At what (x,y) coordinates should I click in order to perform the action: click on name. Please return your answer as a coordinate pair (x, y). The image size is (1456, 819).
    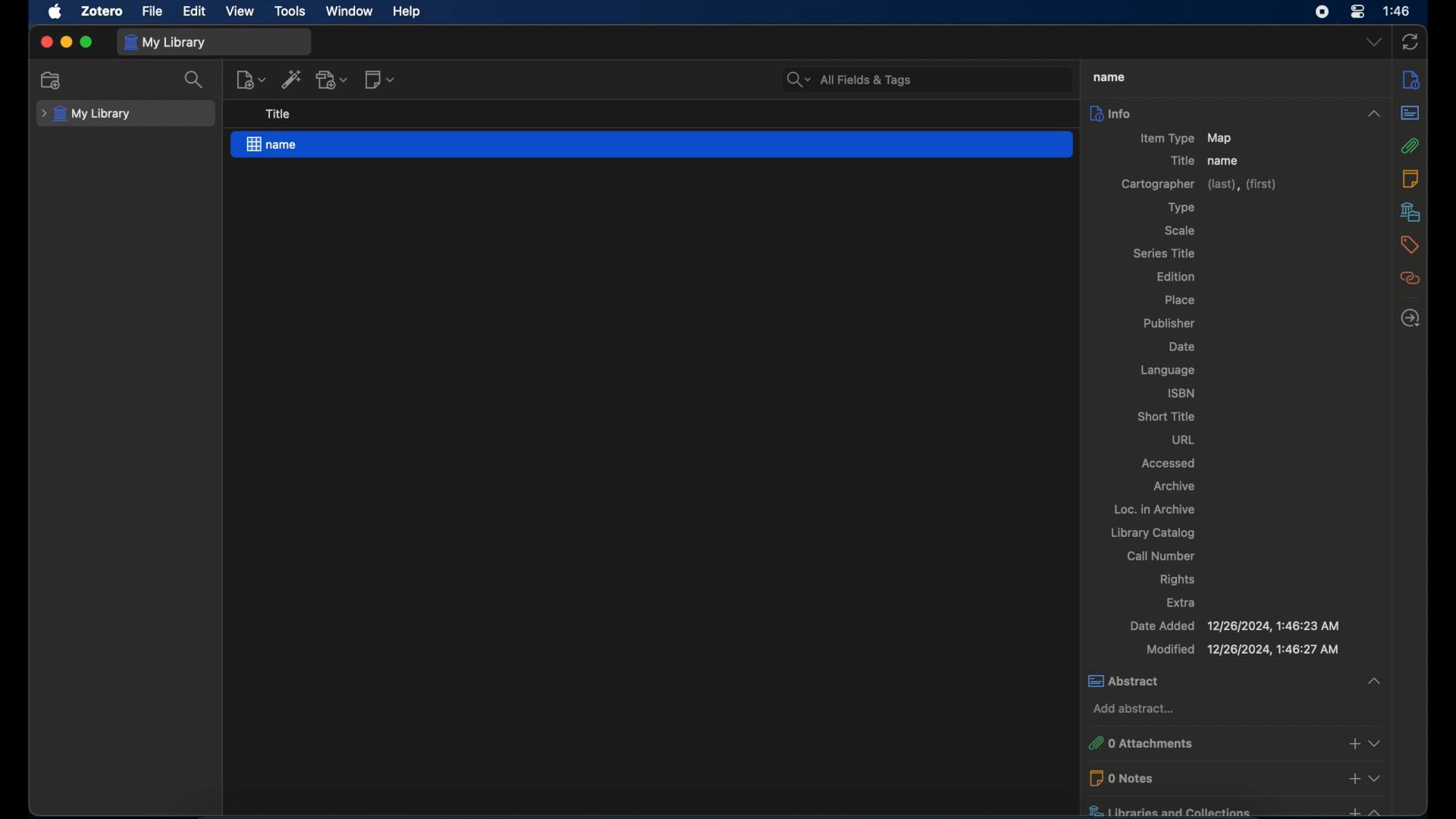
    Looking at the image, I should click on (1225, 162).